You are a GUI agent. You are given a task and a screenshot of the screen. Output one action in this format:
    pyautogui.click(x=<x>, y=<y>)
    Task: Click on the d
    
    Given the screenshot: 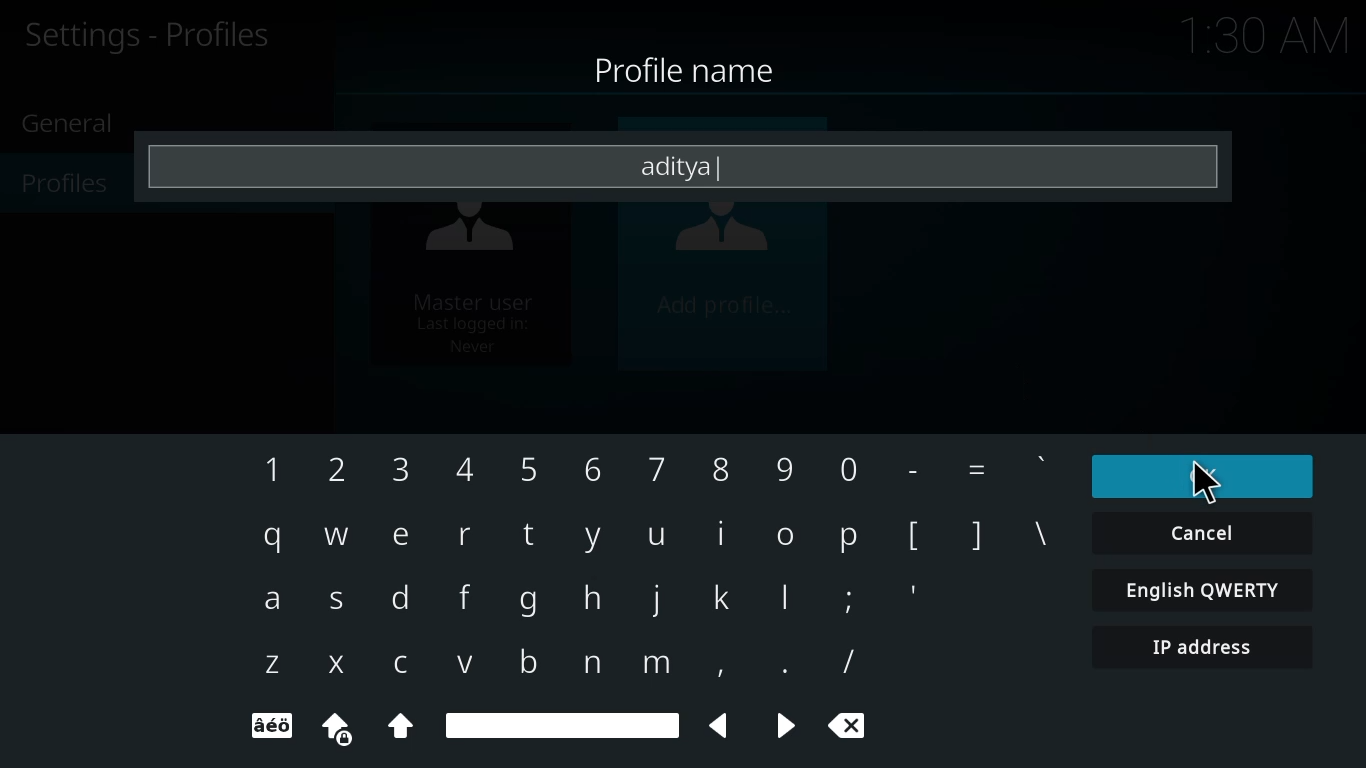 What is the action you would take?
    pyautogui.click(x=405, y=600)
    